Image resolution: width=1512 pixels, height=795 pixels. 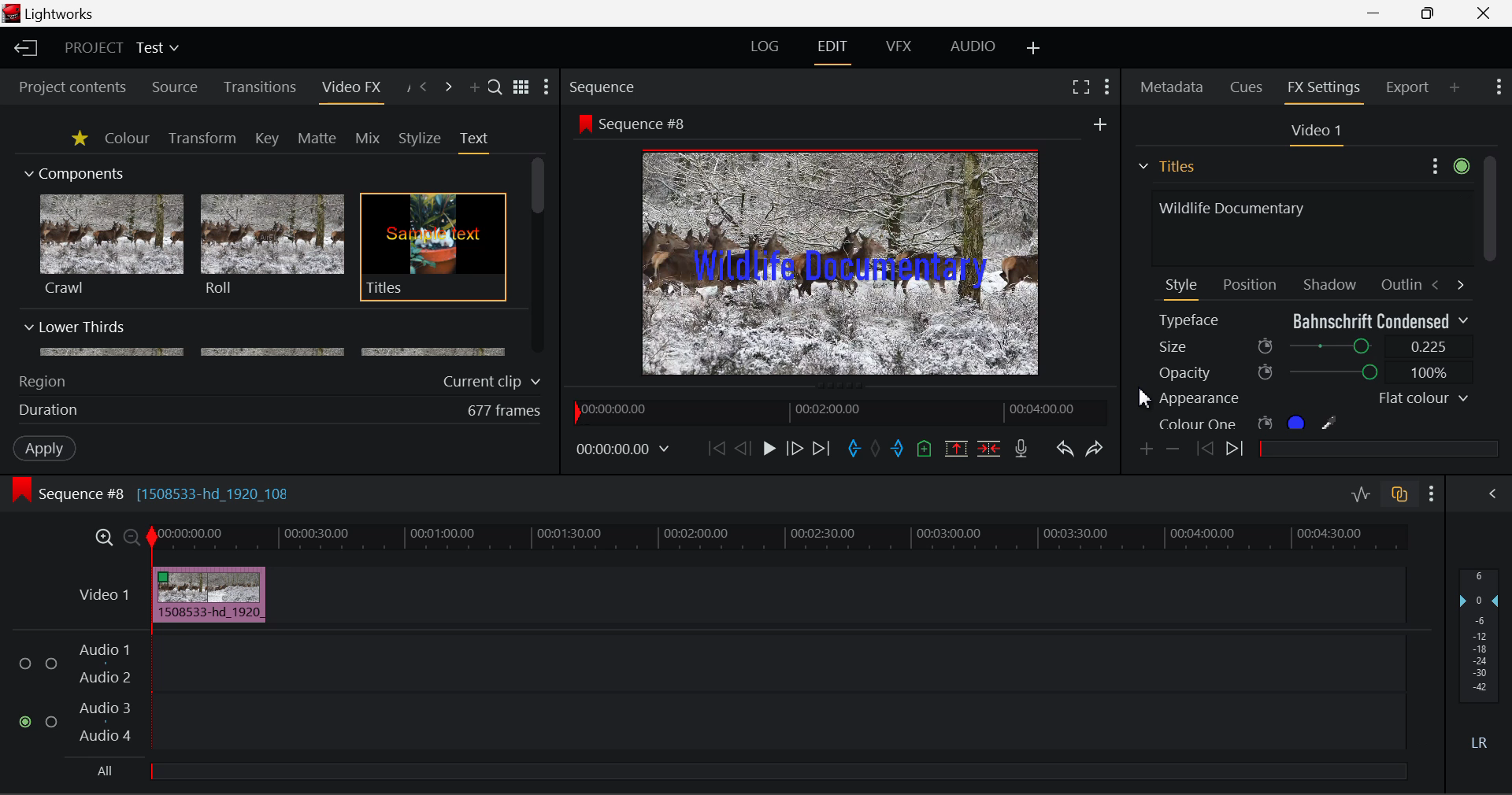 I want to click on Lower Thirds, so click(x=266, y=338).